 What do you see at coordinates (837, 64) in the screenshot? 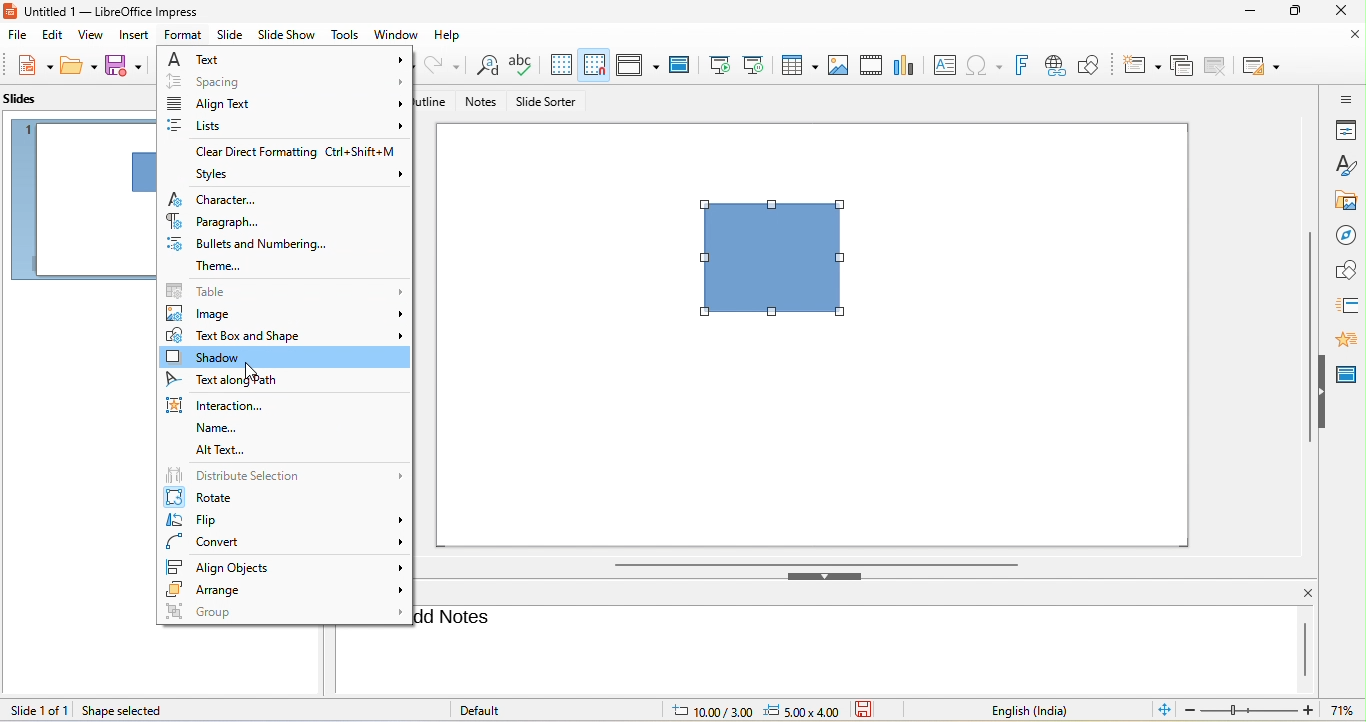
I see `image` at bounding box center [837, 64].